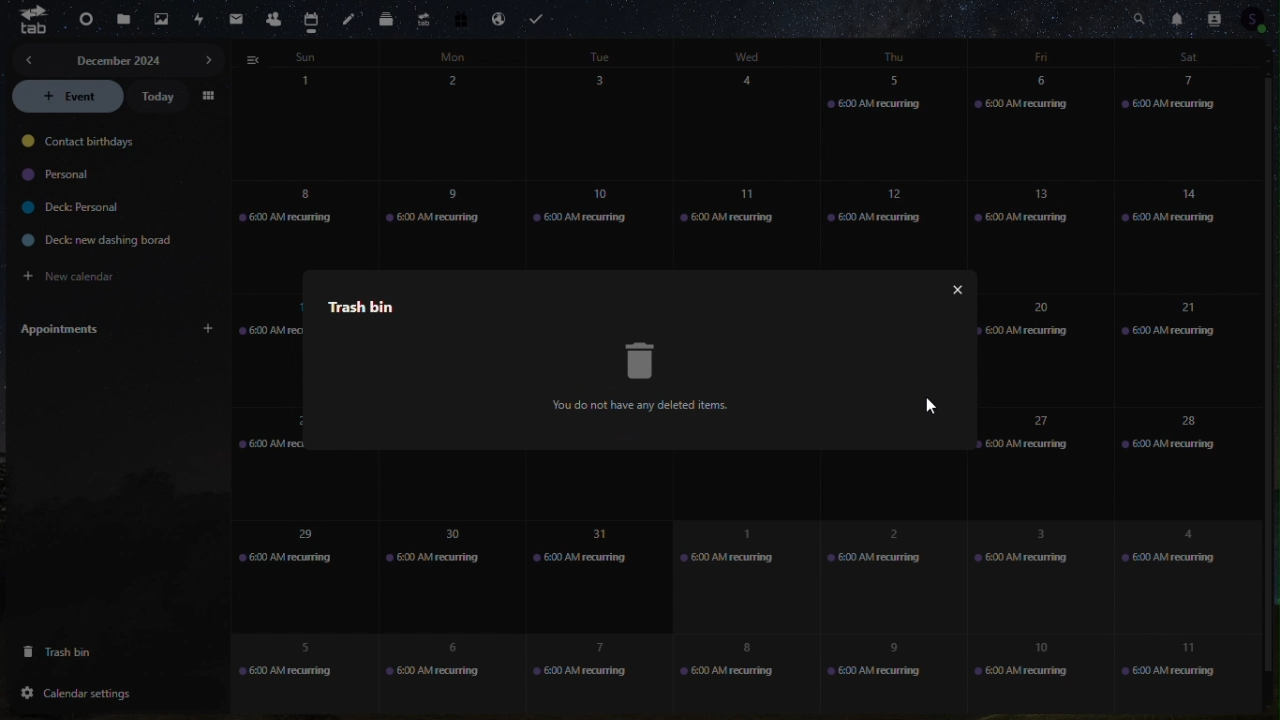 The height and width of the screenshot is (720, 1280). Describe the element at coordinates (586, 672) in the screenshot. I see `7` at that location.